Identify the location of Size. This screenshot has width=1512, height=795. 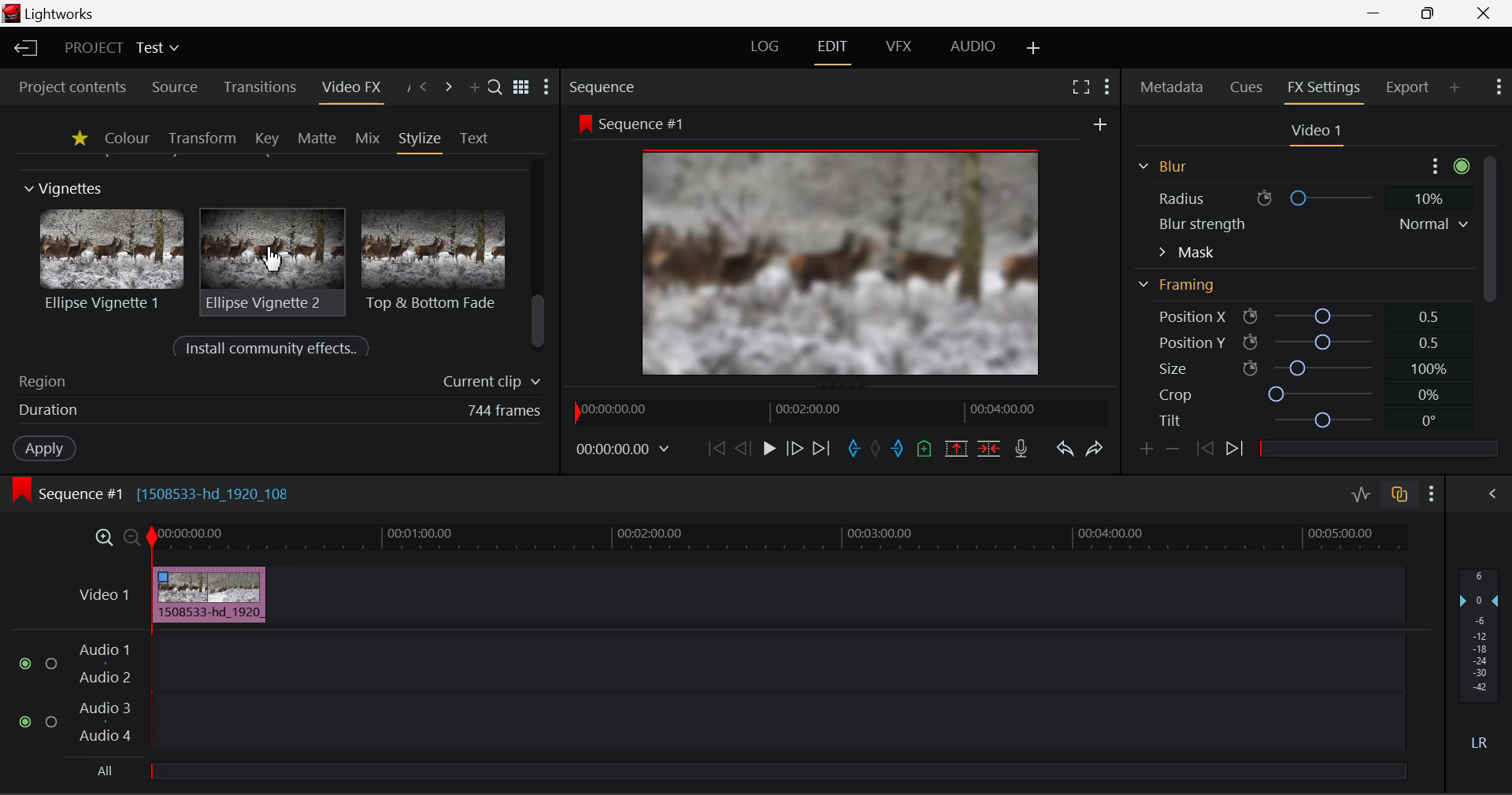
(1299, 368).